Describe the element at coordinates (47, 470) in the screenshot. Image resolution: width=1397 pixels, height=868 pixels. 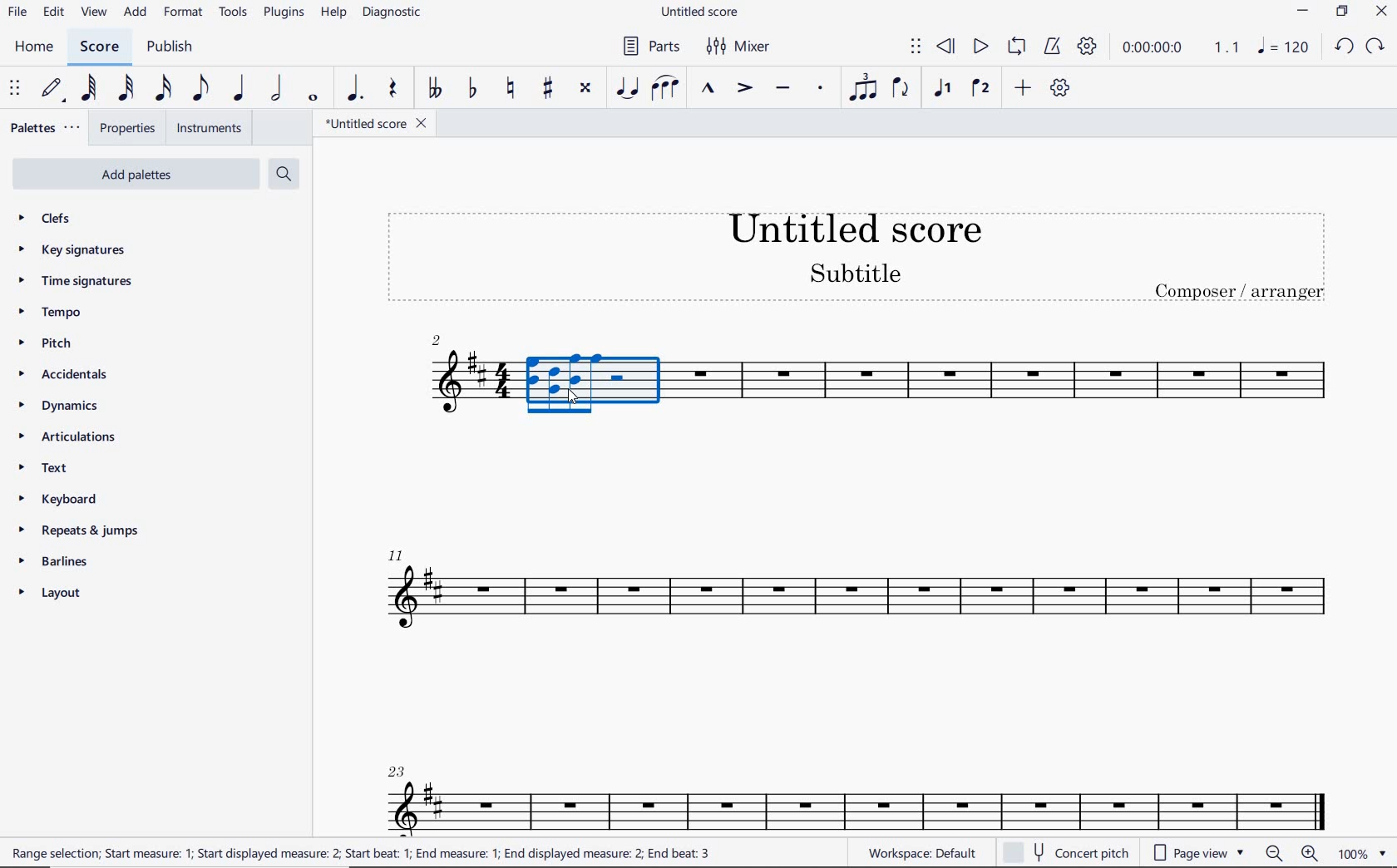
I see `TEXT` at that location.